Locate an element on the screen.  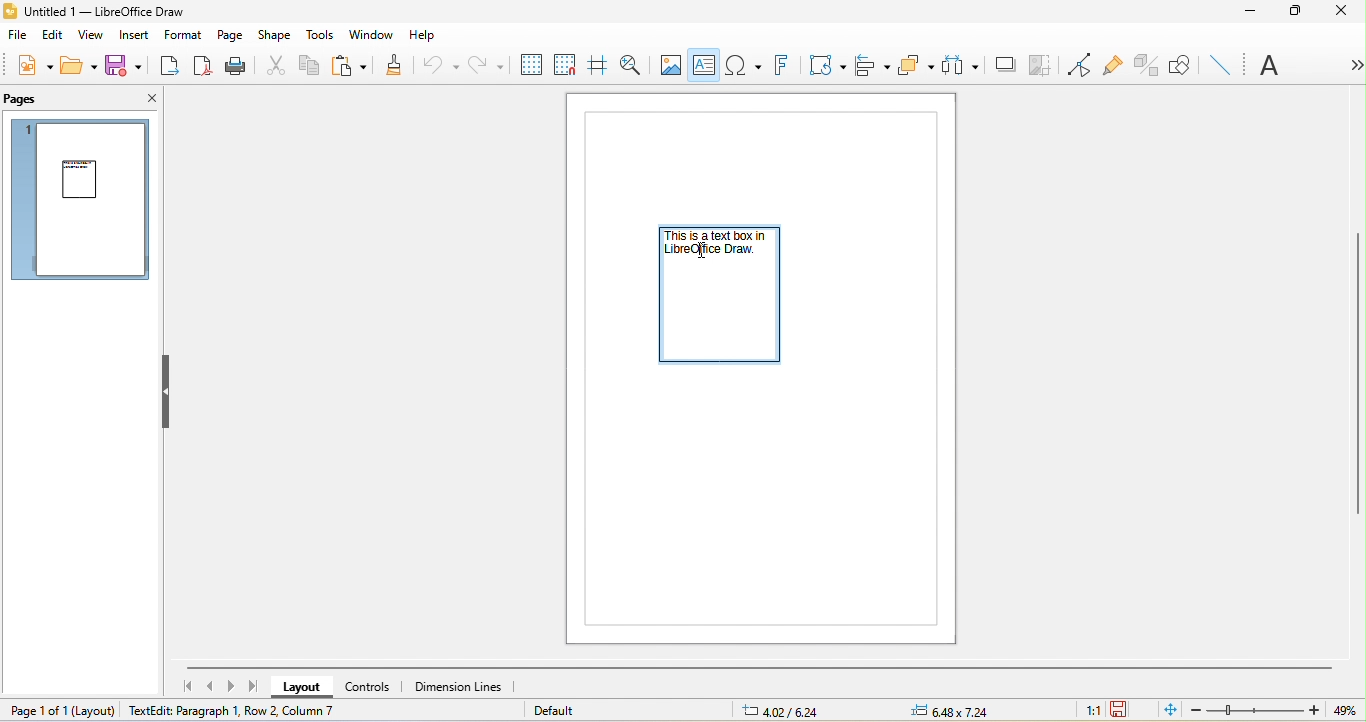
previous page is located at coordinates (209, 685).